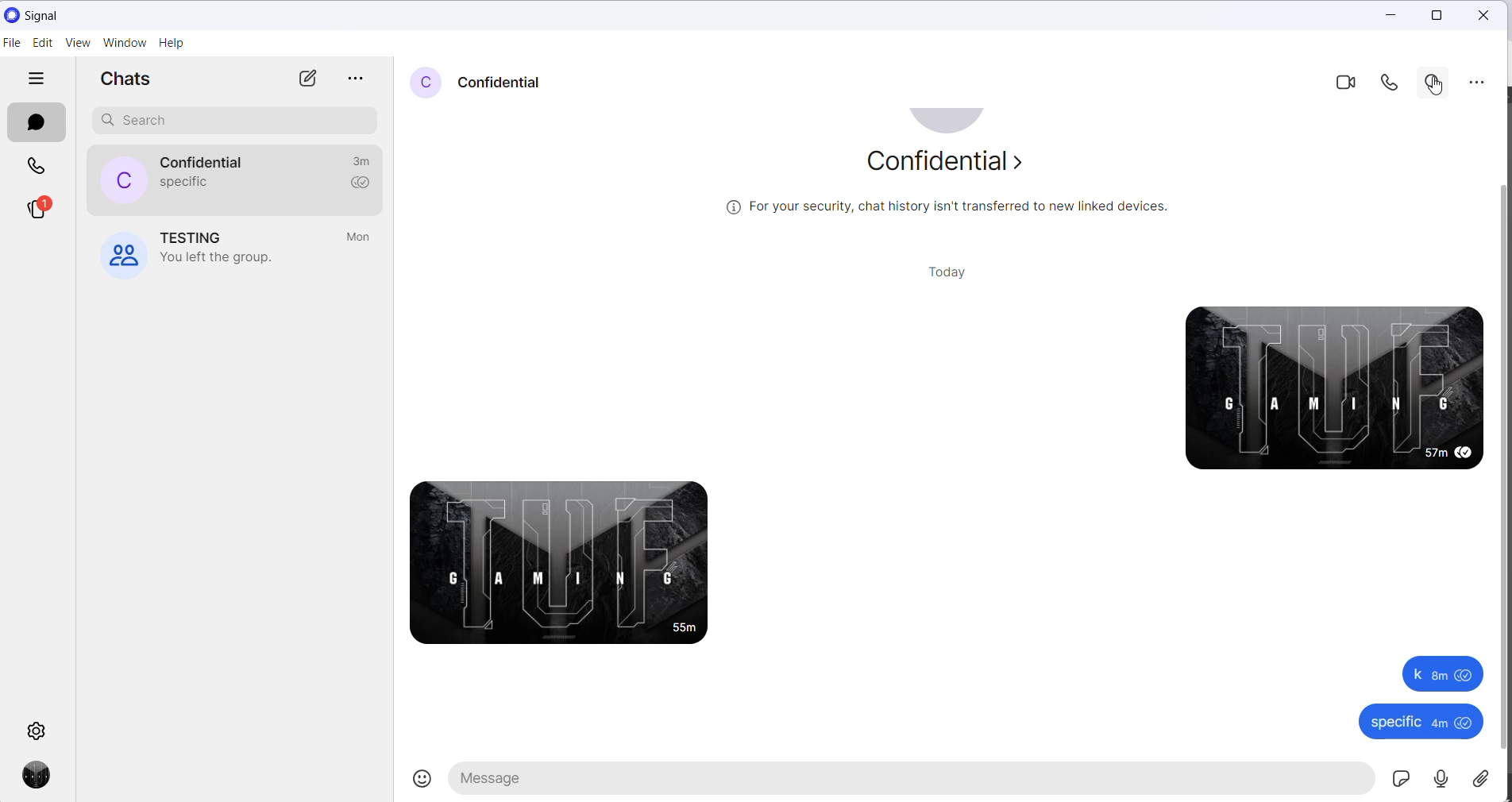 The image size is (1512, 802). Describe the element at coordinates (133, 83) in the screenshot. I see `chats heading` at that location.